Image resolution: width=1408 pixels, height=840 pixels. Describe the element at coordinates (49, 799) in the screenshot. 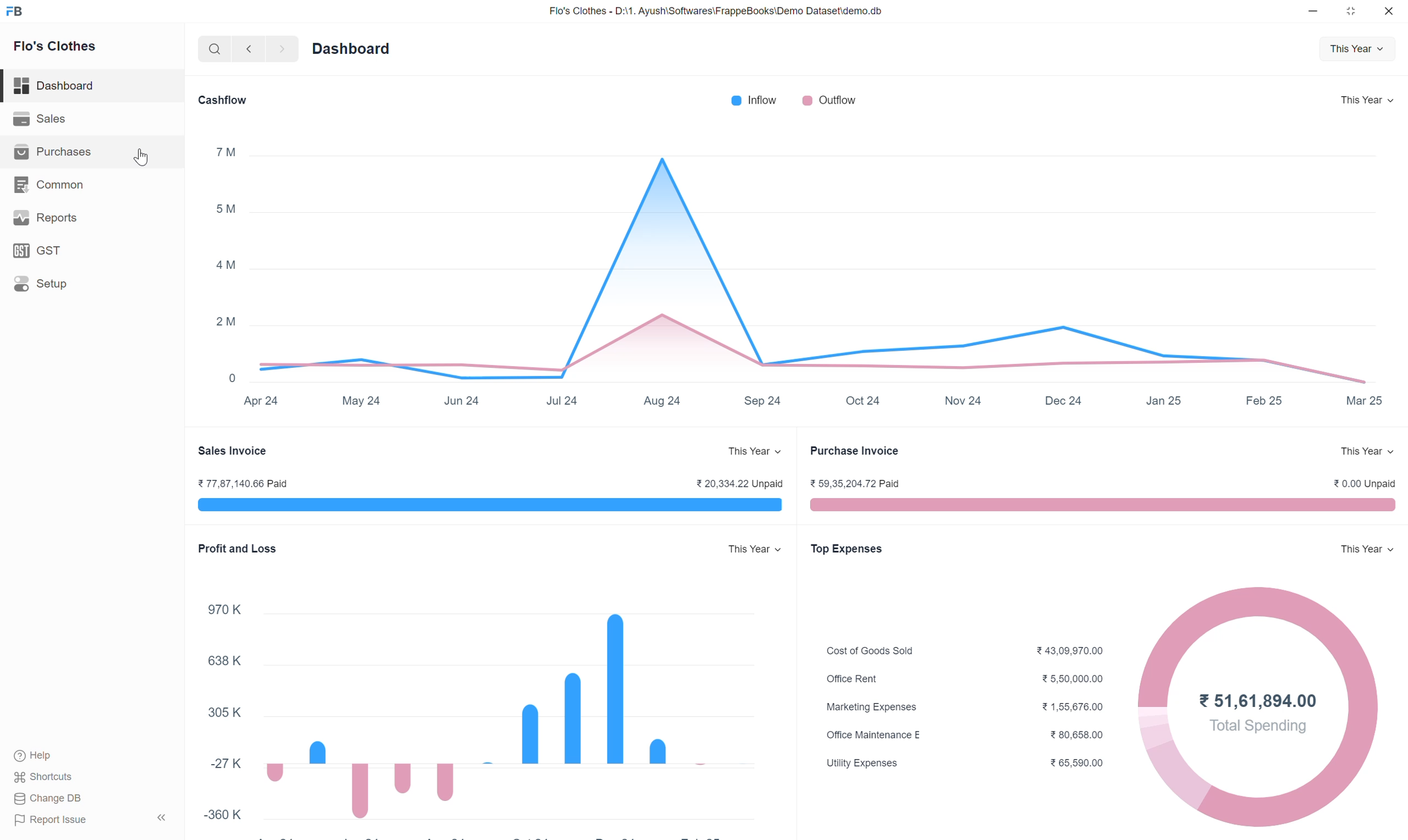

I see `Change DB` at that location.